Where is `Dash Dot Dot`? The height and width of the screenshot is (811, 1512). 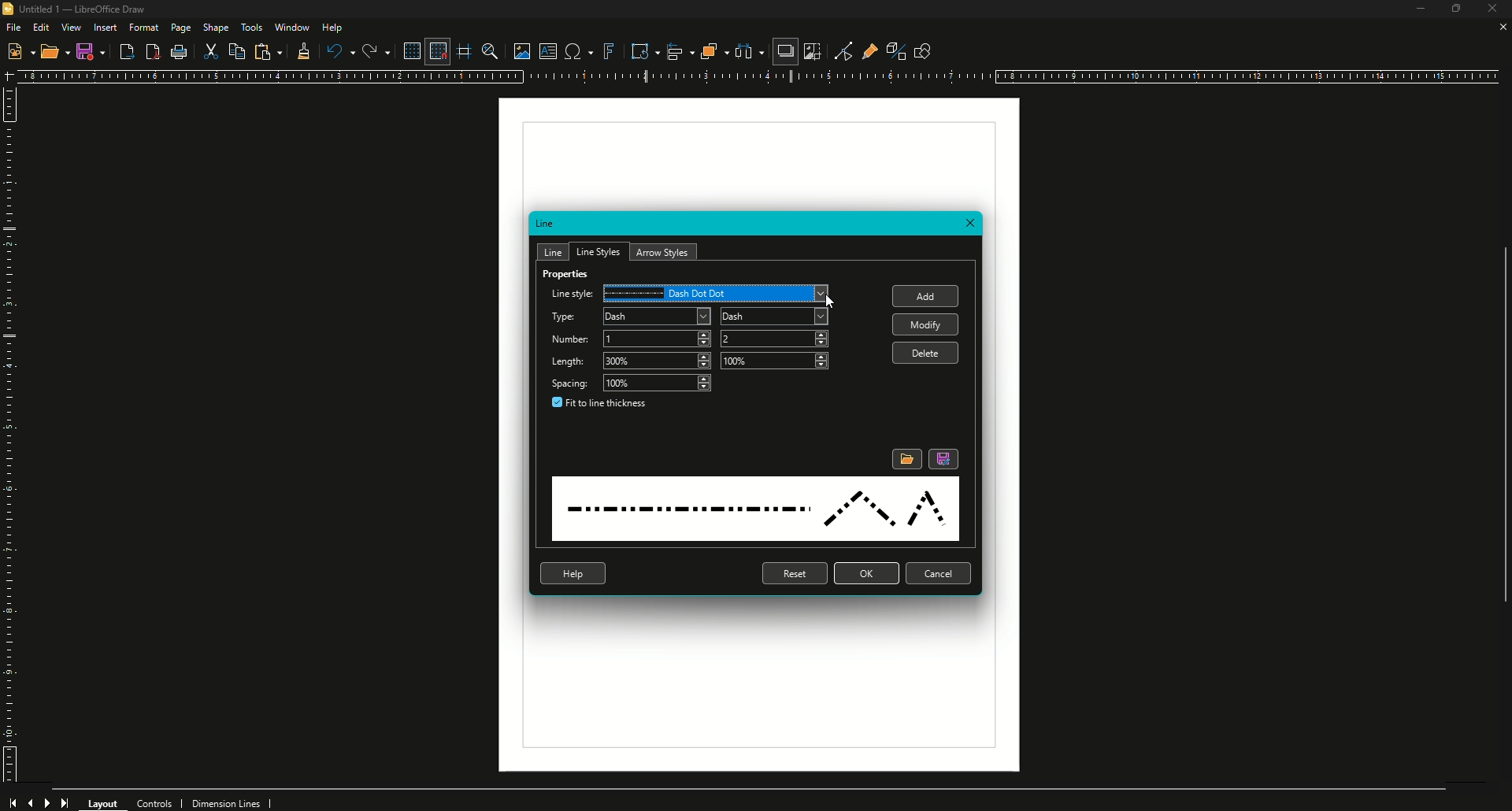
Dash Dot Dot is located at coordinates (720, 292).